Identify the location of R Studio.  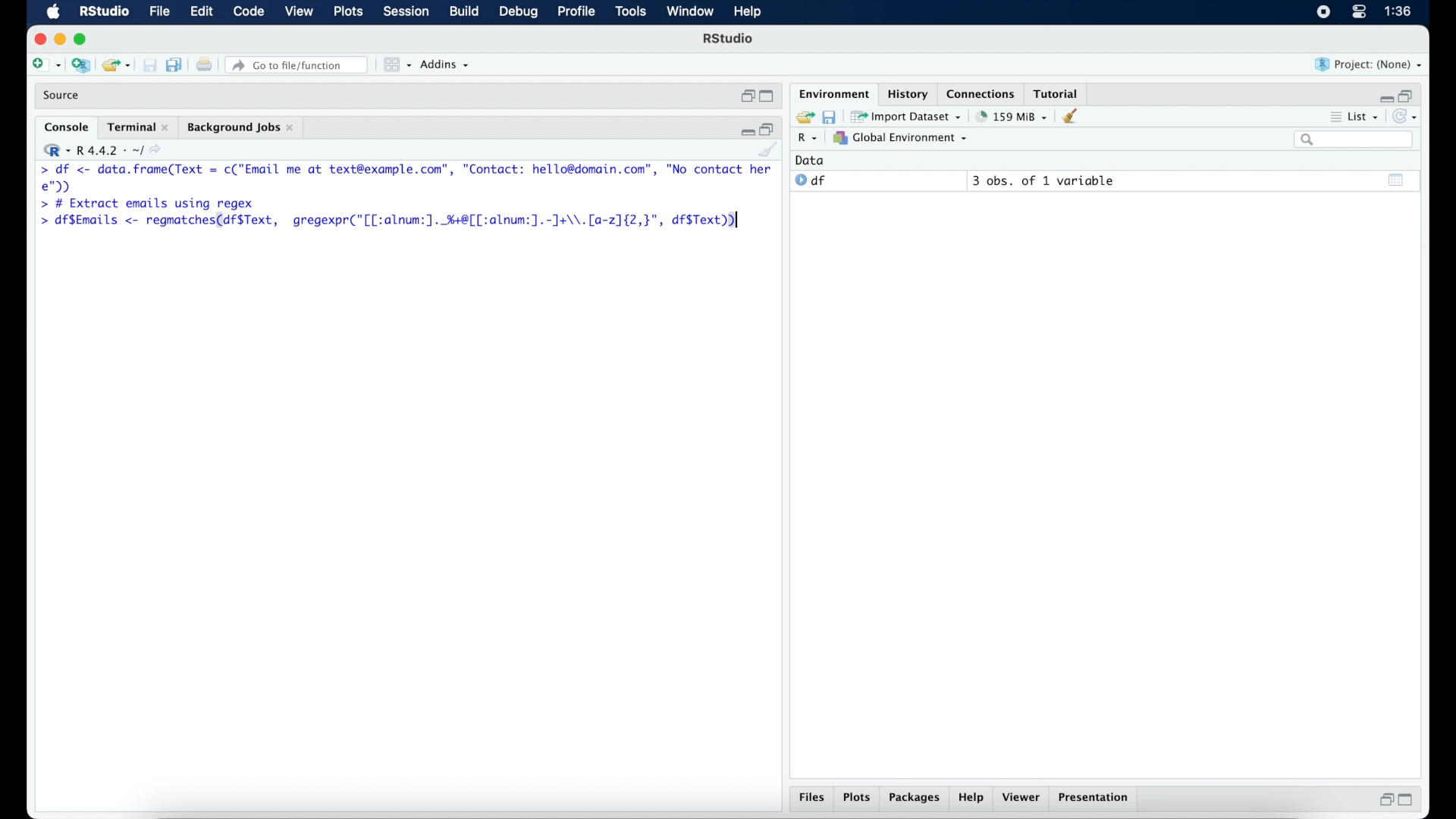
(730, 40).